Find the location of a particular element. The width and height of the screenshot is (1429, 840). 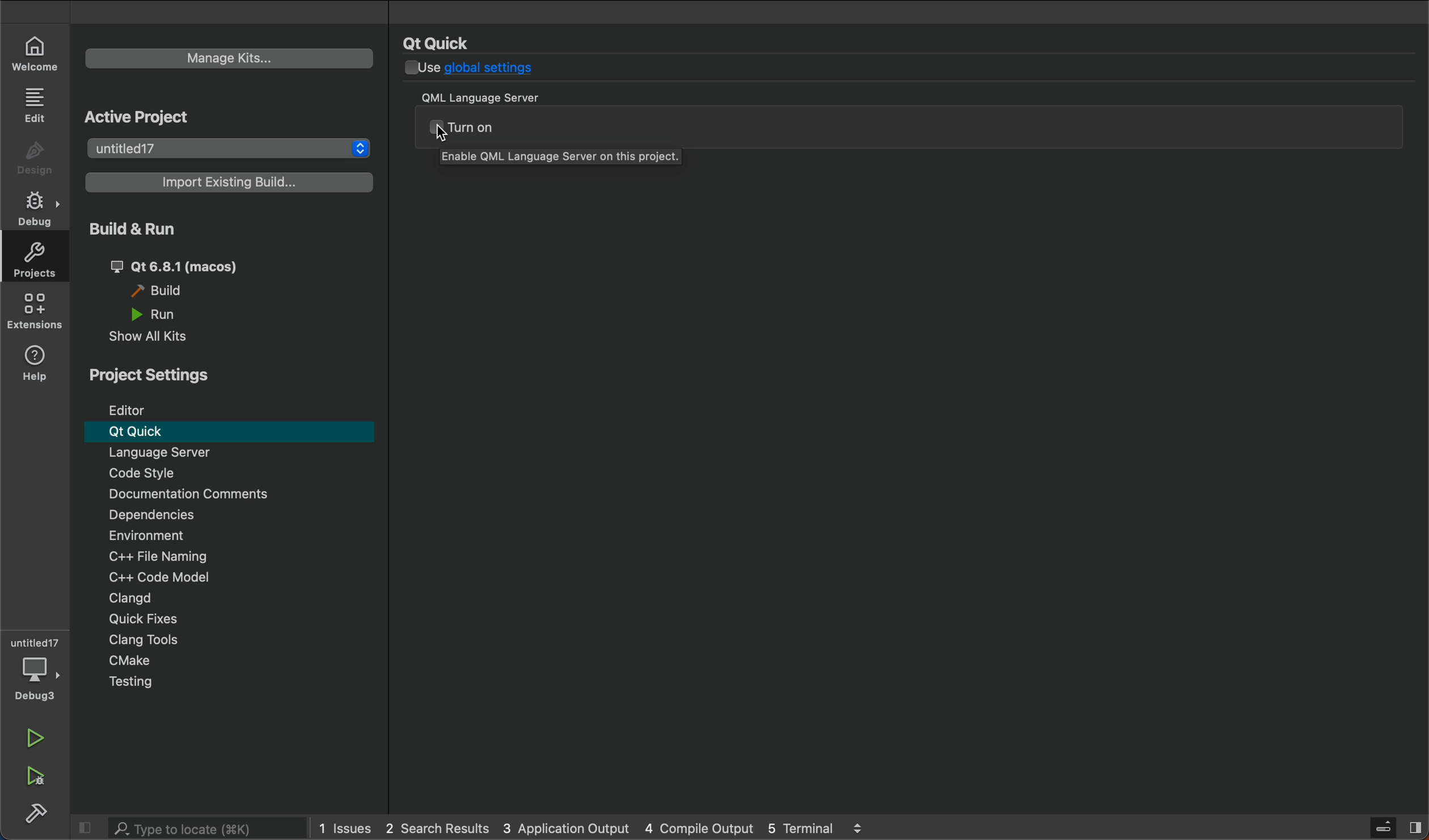

qt 6.81  is located at coordinates (197, 264).